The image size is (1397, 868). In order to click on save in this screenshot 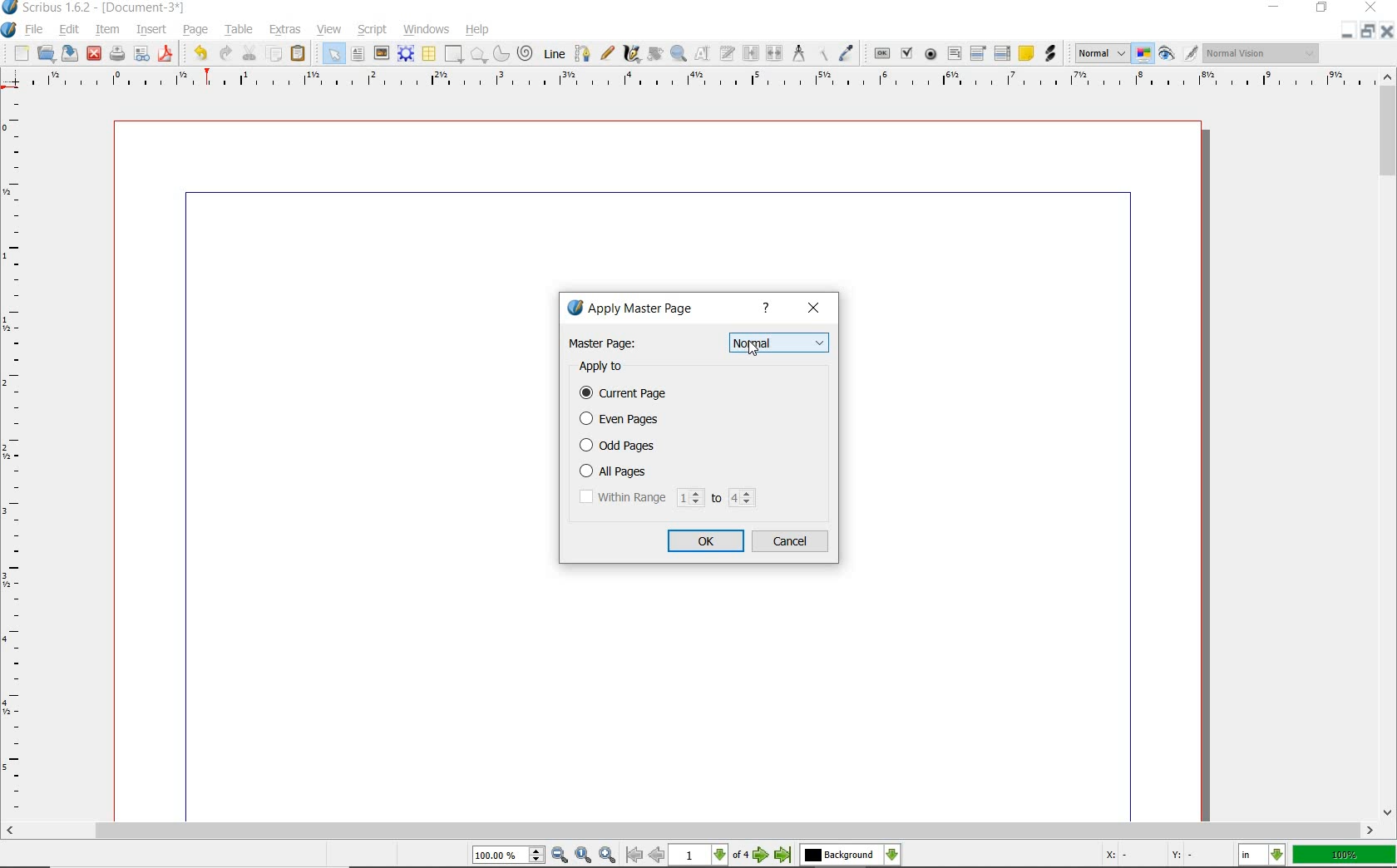, I will do `click(68, 53)`.